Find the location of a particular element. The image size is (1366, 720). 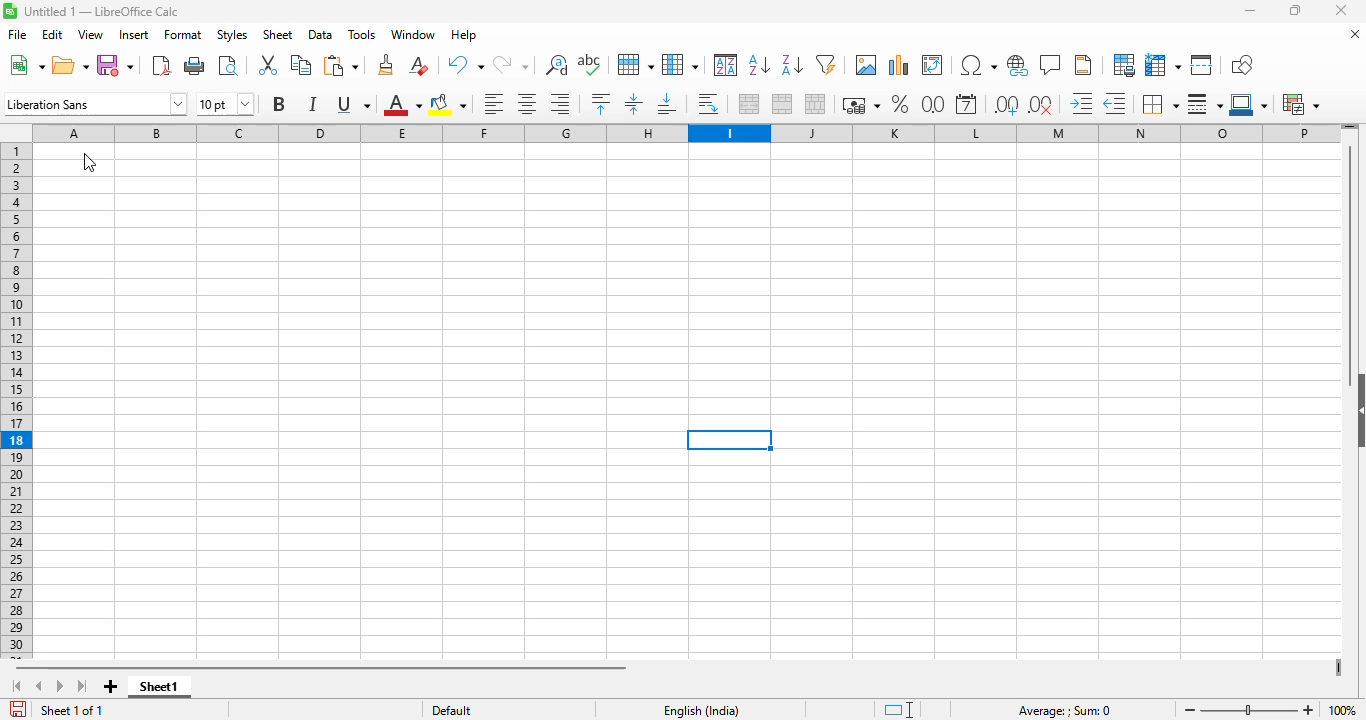

align top is located at coordinates (600, 103).